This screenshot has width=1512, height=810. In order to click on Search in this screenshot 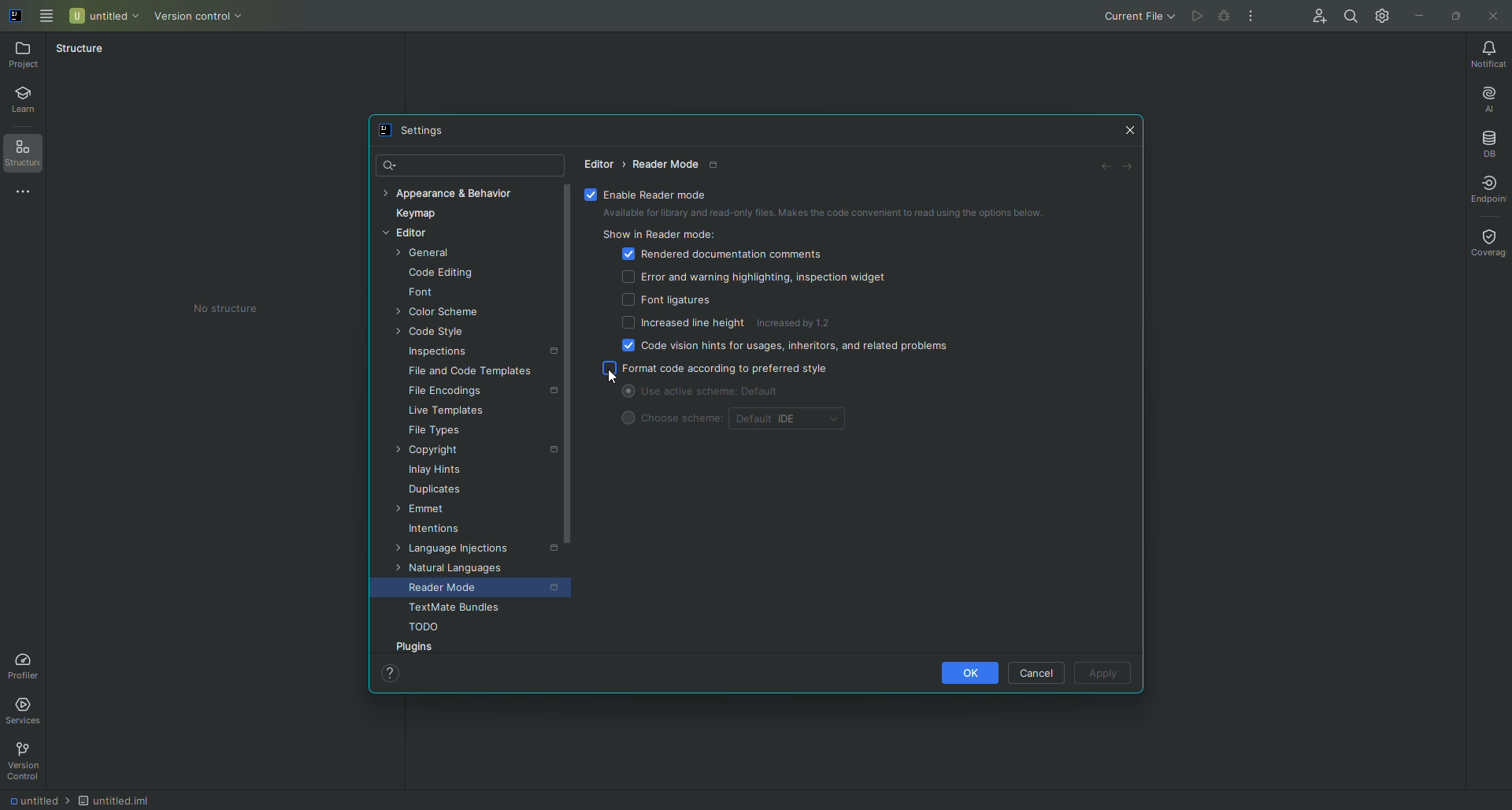, I will do `click(1349, 15)`.